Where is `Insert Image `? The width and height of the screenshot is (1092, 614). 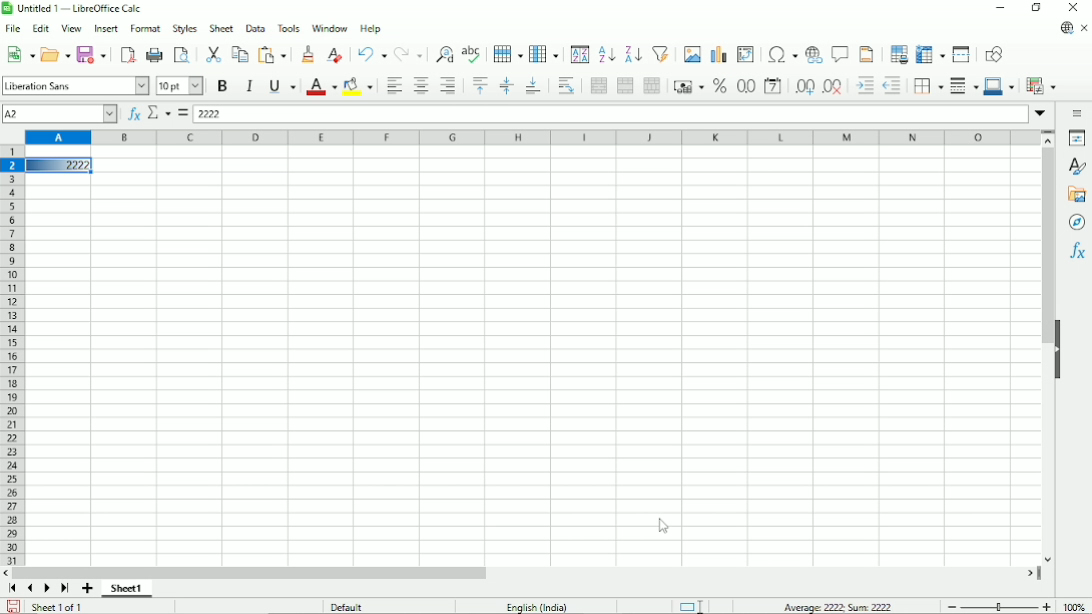 Insert Image  is located at coordinates (690, 53).